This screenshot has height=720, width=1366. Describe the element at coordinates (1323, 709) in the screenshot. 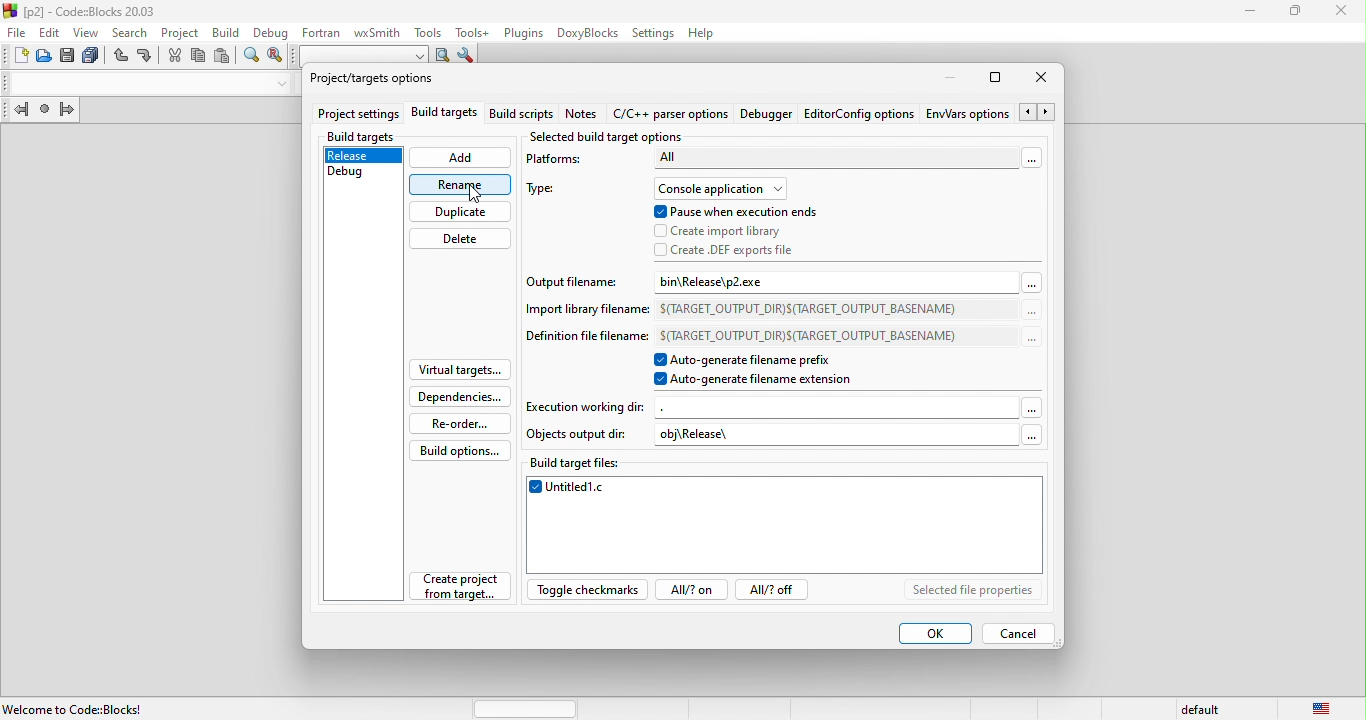

I see `united state` at that location.